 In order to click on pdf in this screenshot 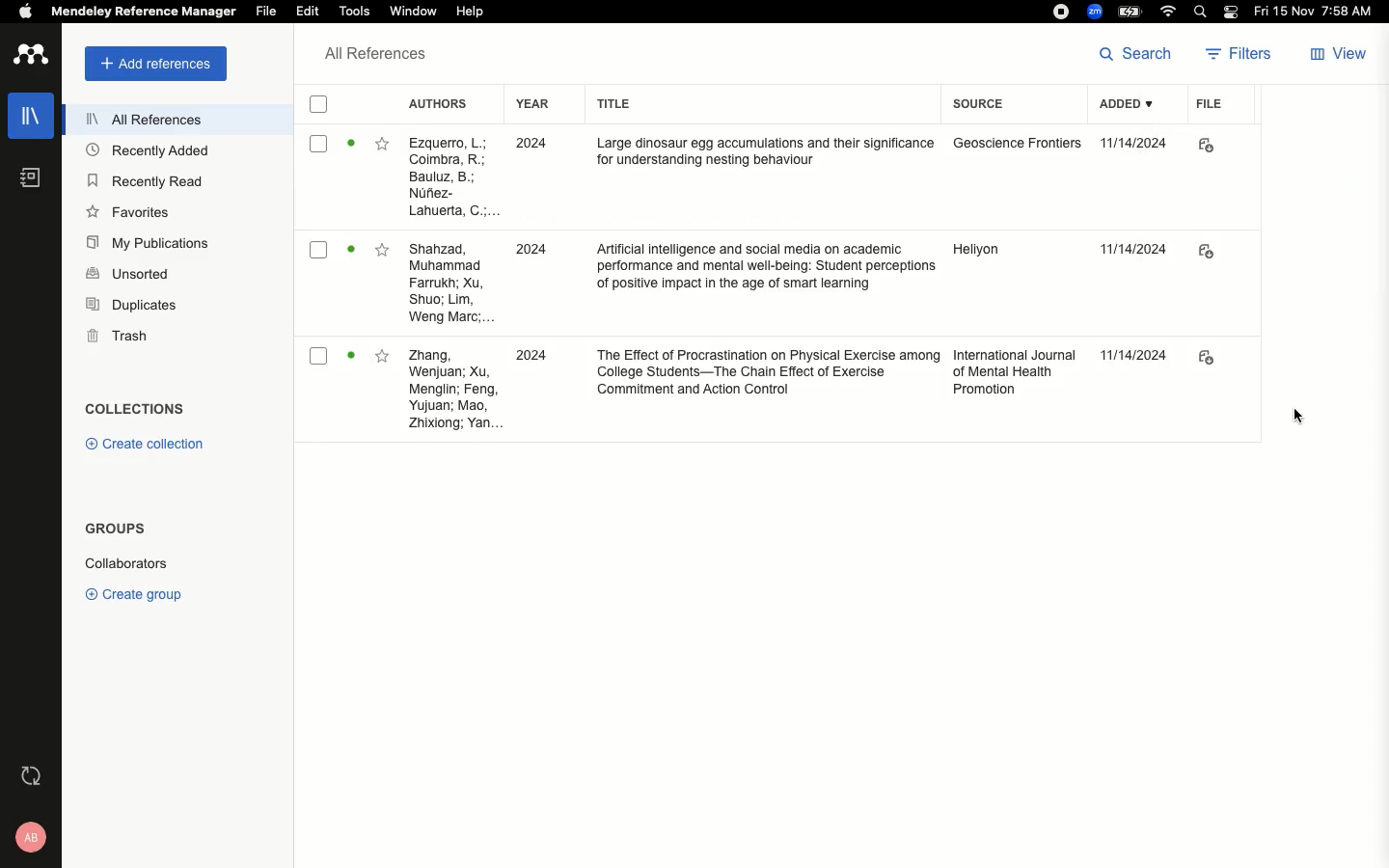, I will do `click(1210, 146)`.